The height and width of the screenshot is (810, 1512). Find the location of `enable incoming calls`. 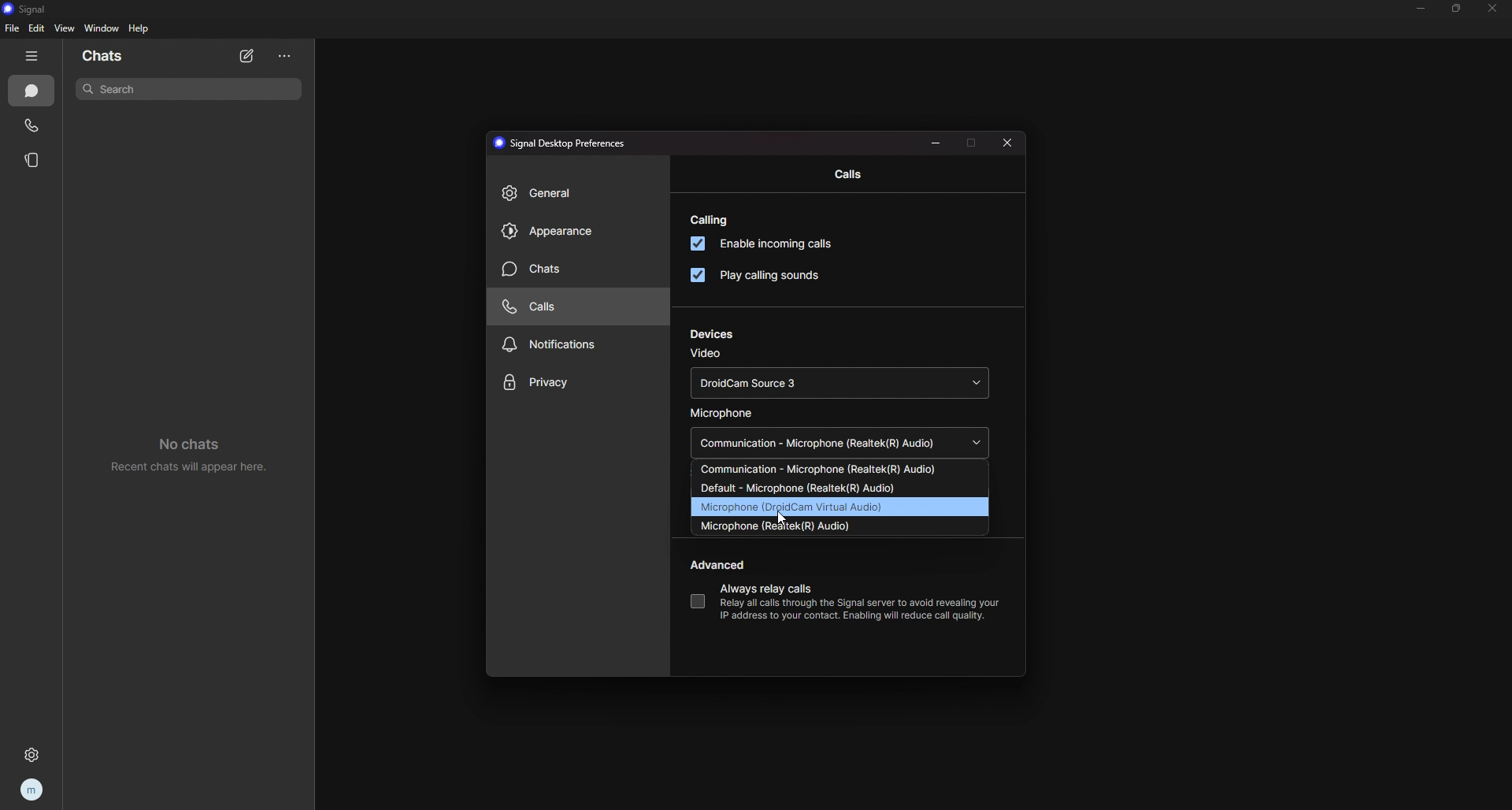

enable incoming calls is located at coordinates (770, 244).